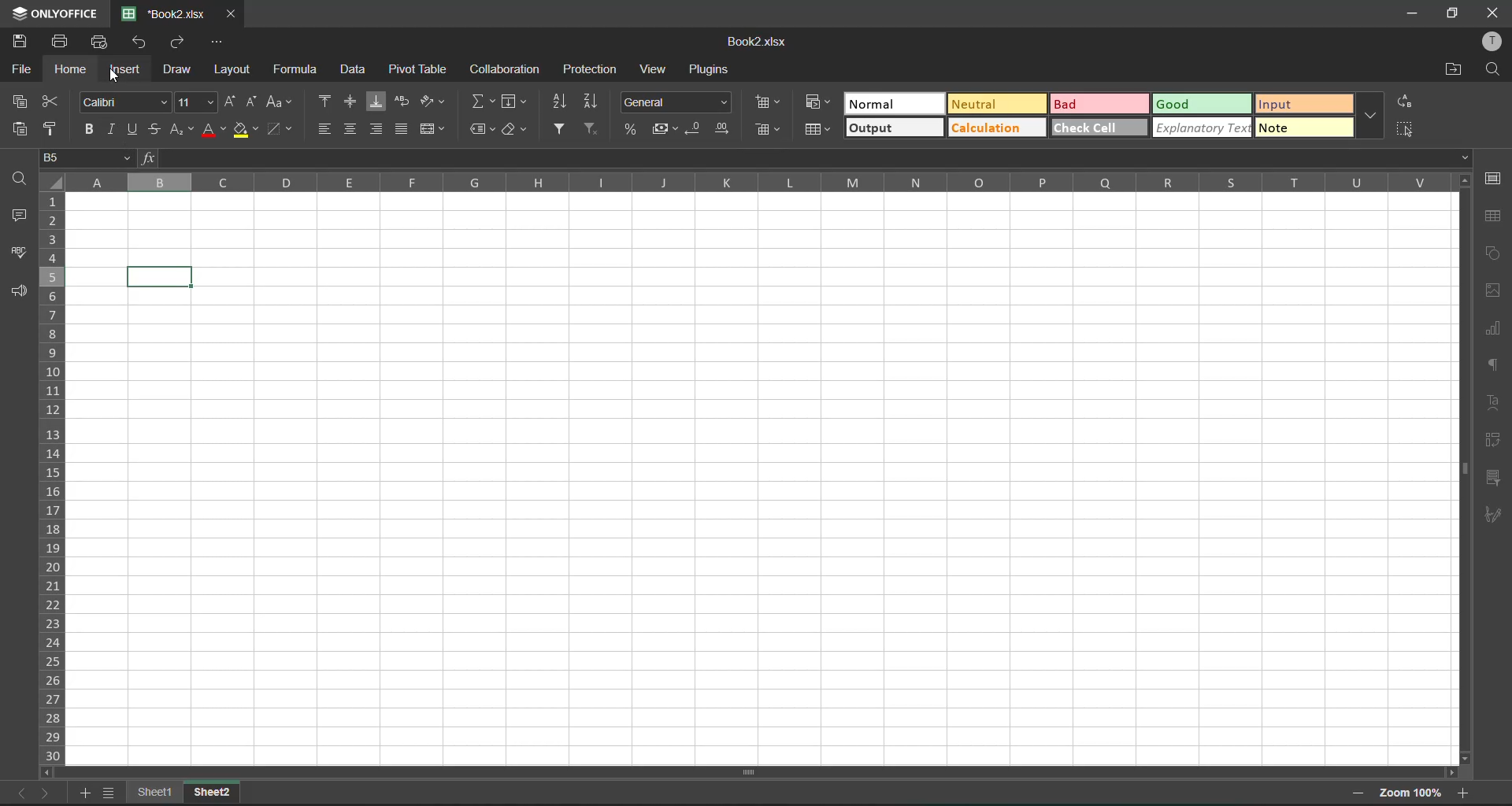 This screenshot has width=1512, height=806. Describe the element at coordinates (165, 13) in the screenshot. I see `*Book2.xlsx` at that location.